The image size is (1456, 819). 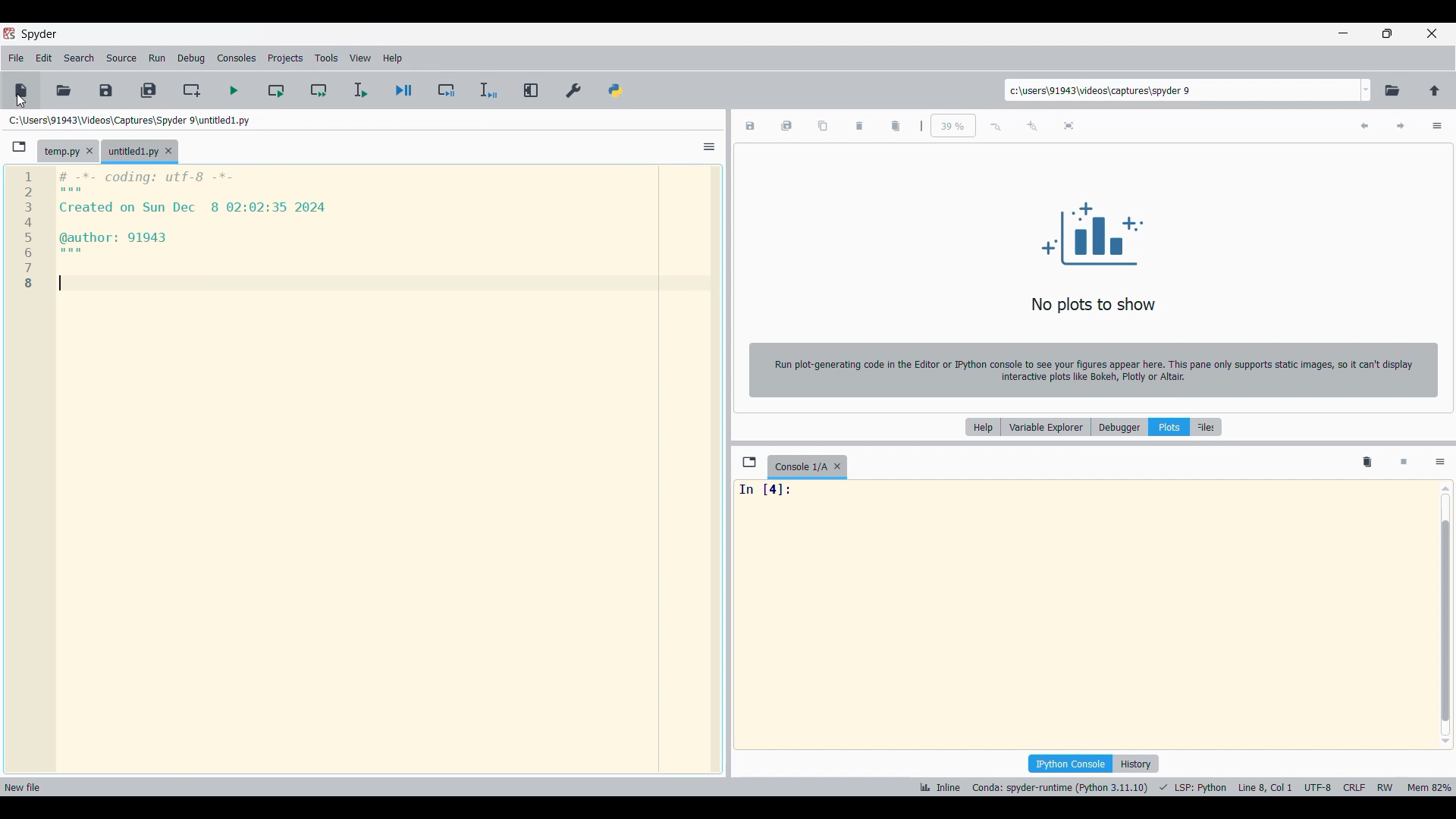 What do you see at coordinates (1314, 786) in the screenshot?
I see `encoding` at bounding box center [1314, 786].